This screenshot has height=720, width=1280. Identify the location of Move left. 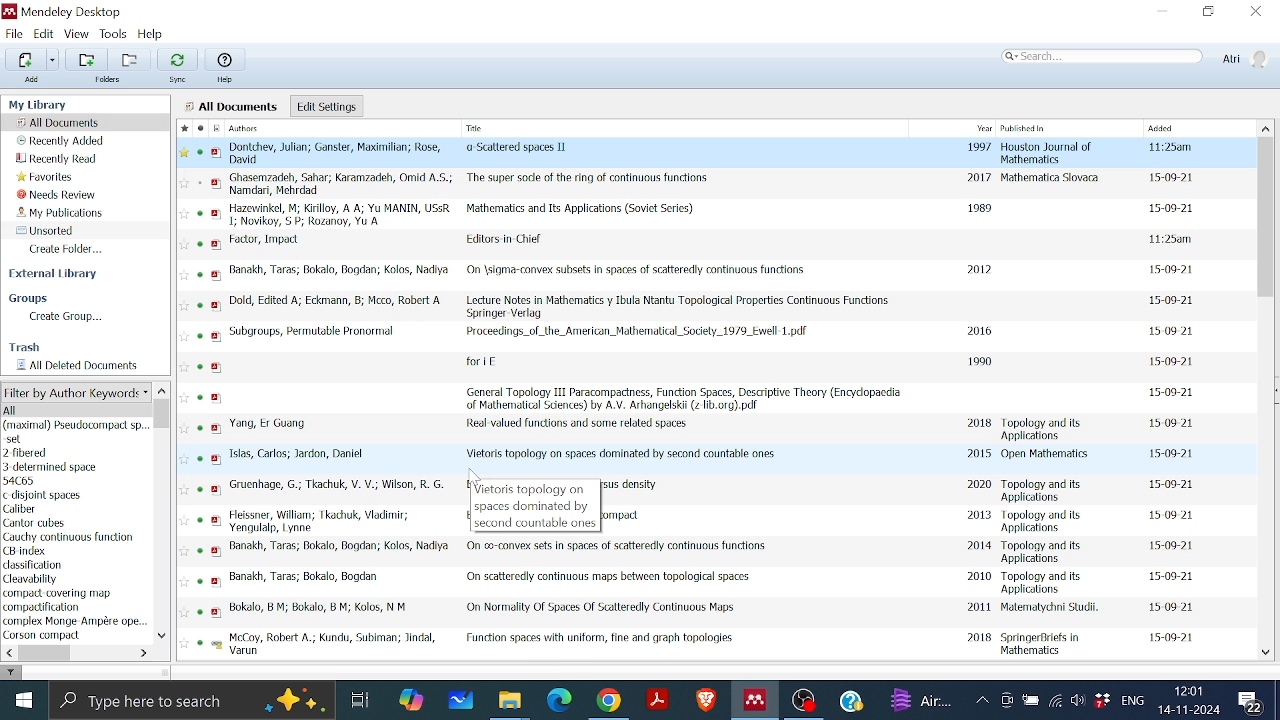
(142, 652).